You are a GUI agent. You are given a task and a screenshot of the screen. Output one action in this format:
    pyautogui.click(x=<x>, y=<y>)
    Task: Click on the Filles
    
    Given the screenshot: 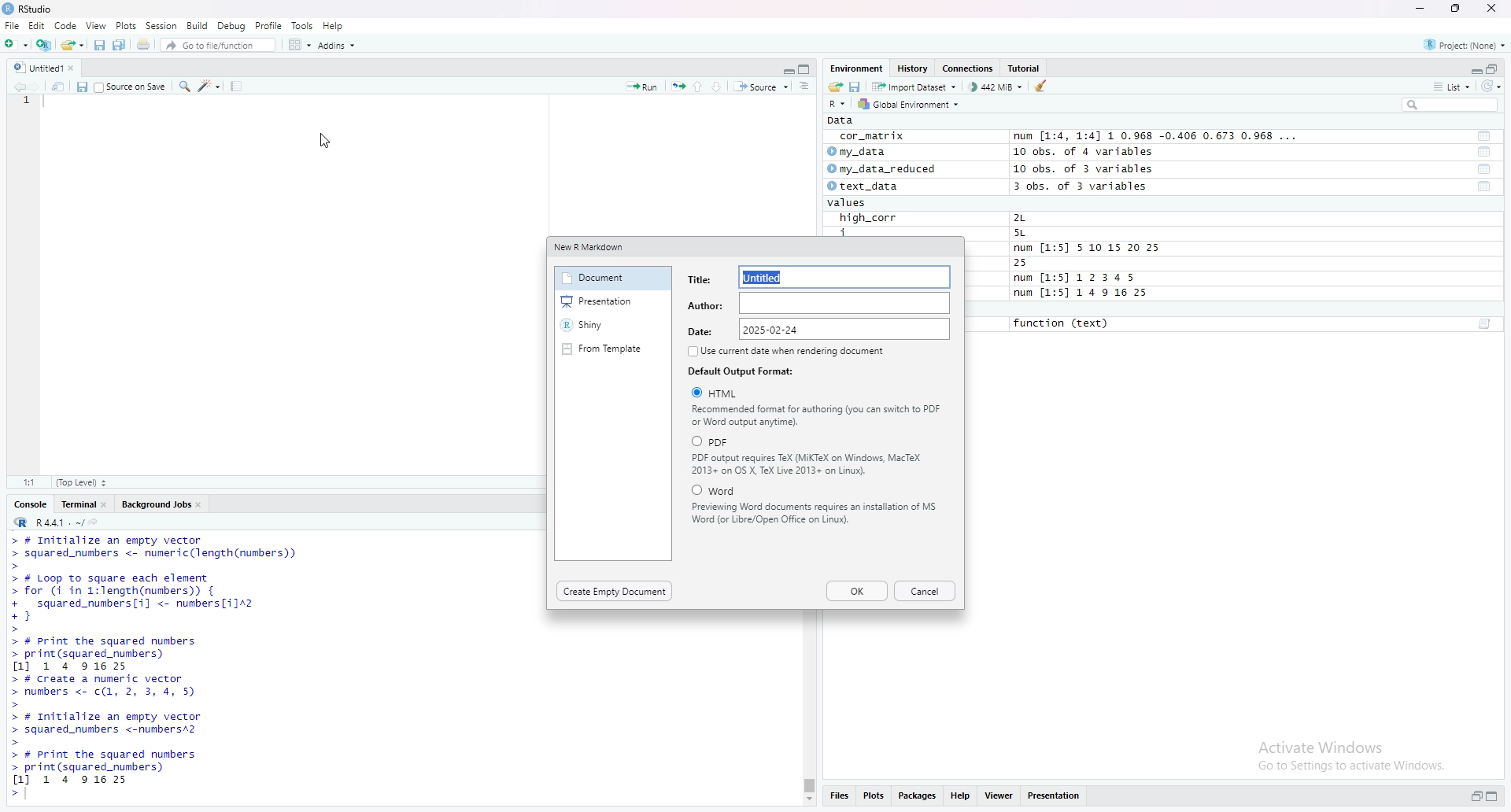 What is the action you would take?
    pyautogui.click(x=838, y=797)
    